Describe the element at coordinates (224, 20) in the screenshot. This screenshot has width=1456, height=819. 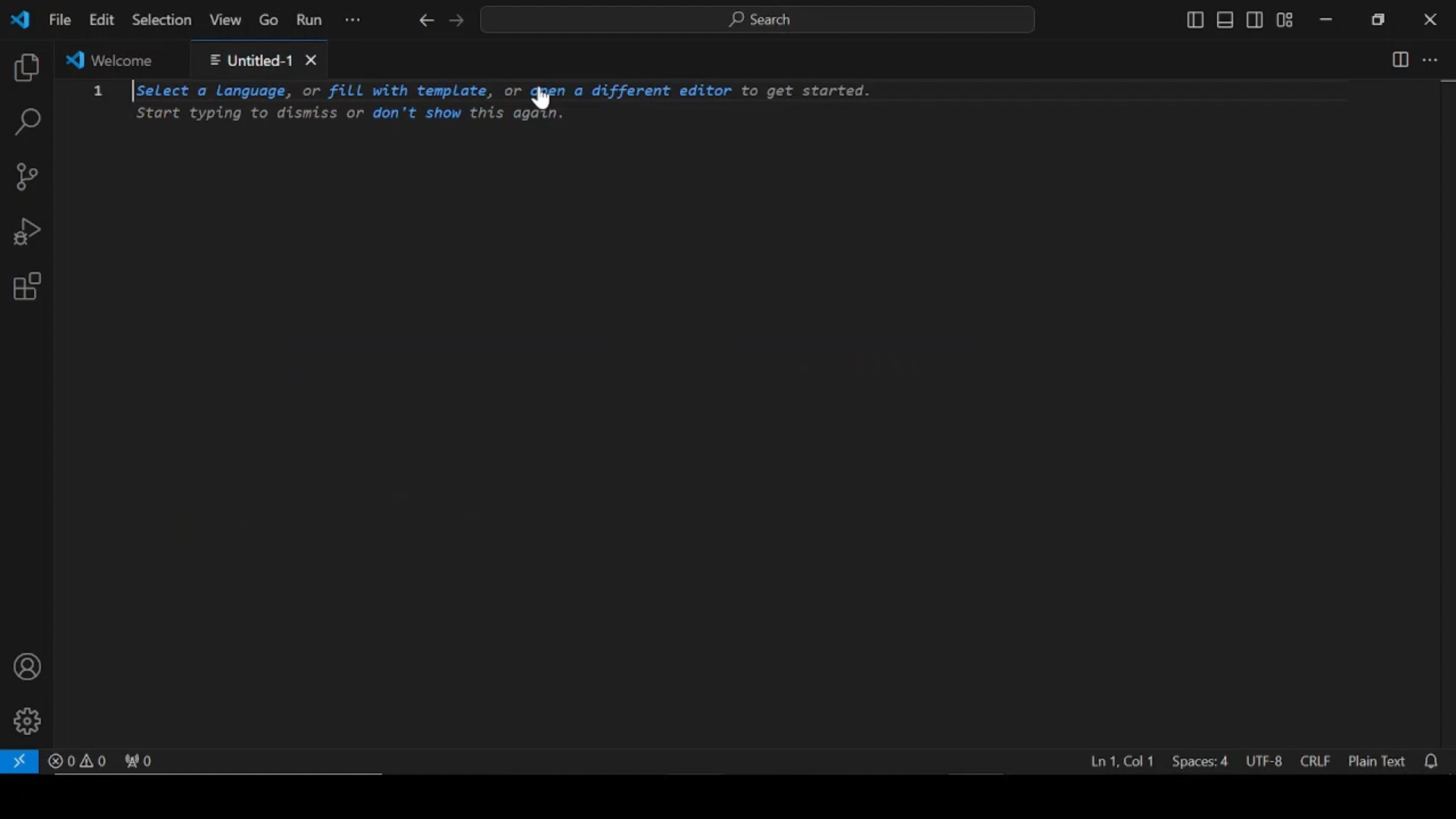
I see `view` at that location.